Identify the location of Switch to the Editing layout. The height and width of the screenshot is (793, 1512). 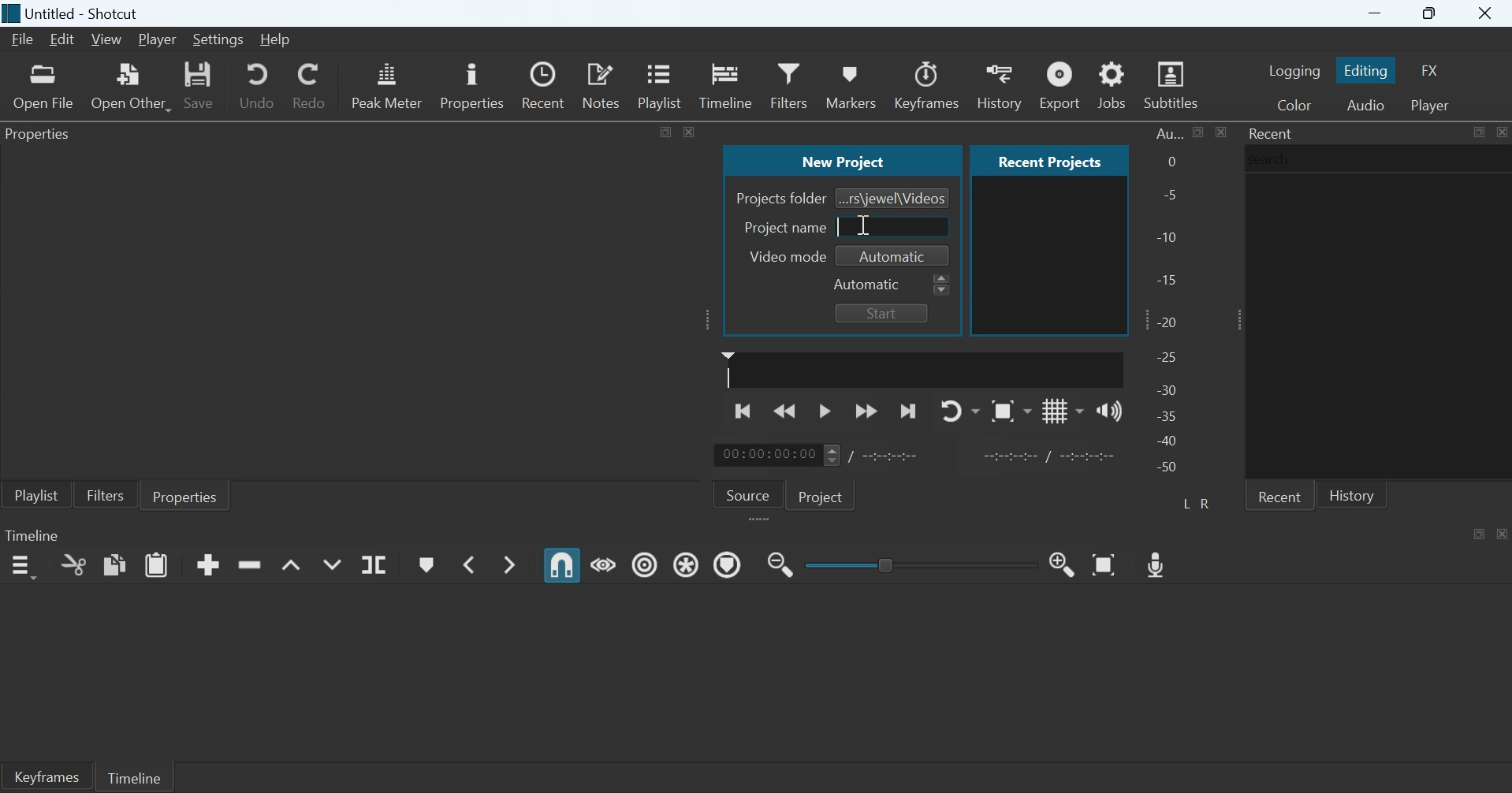
(1368, 70).